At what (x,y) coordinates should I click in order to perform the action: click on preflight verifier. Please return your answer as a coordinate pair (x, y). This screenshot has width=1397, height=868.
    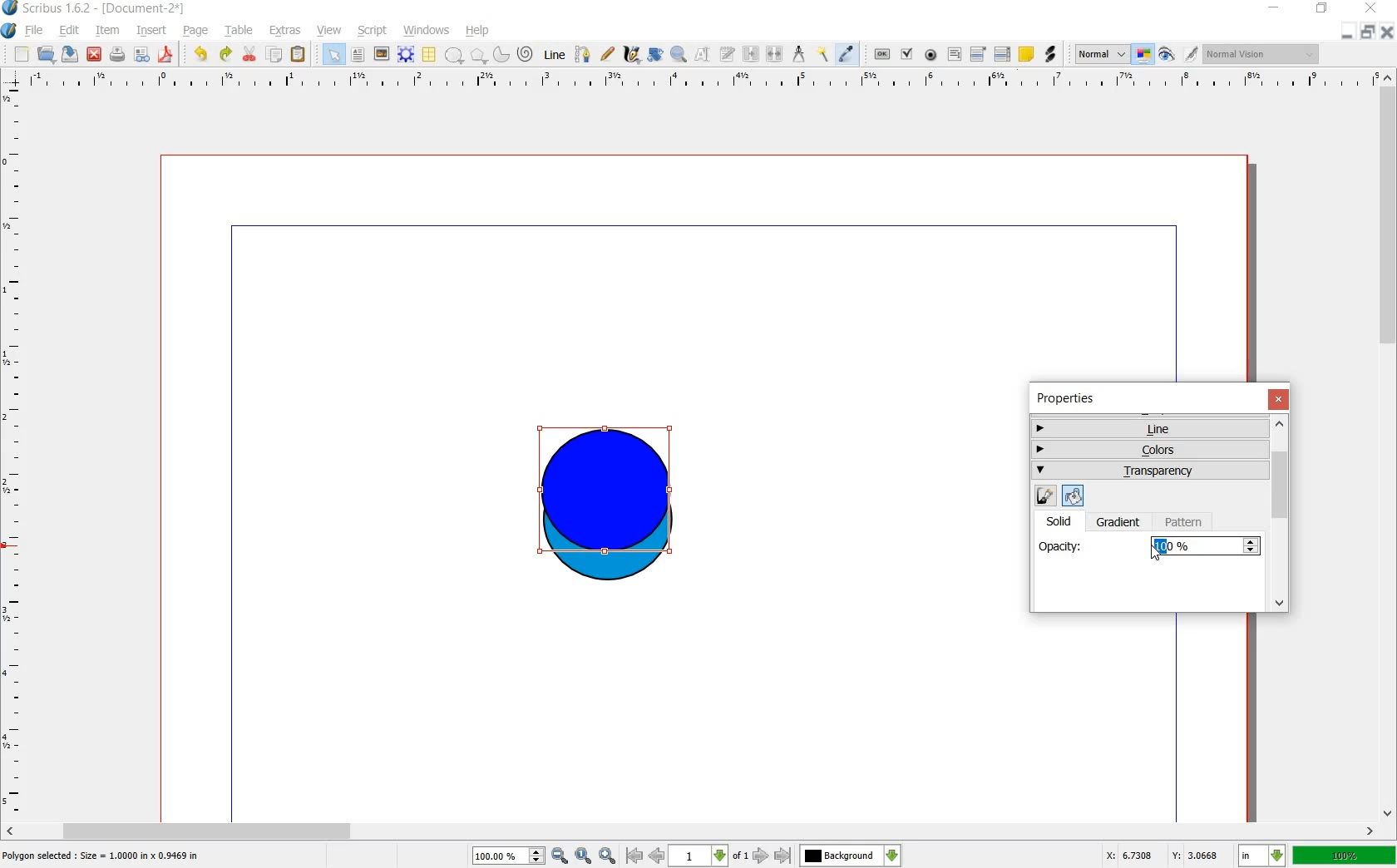
    Looking at the image, I should click on (142, 55).